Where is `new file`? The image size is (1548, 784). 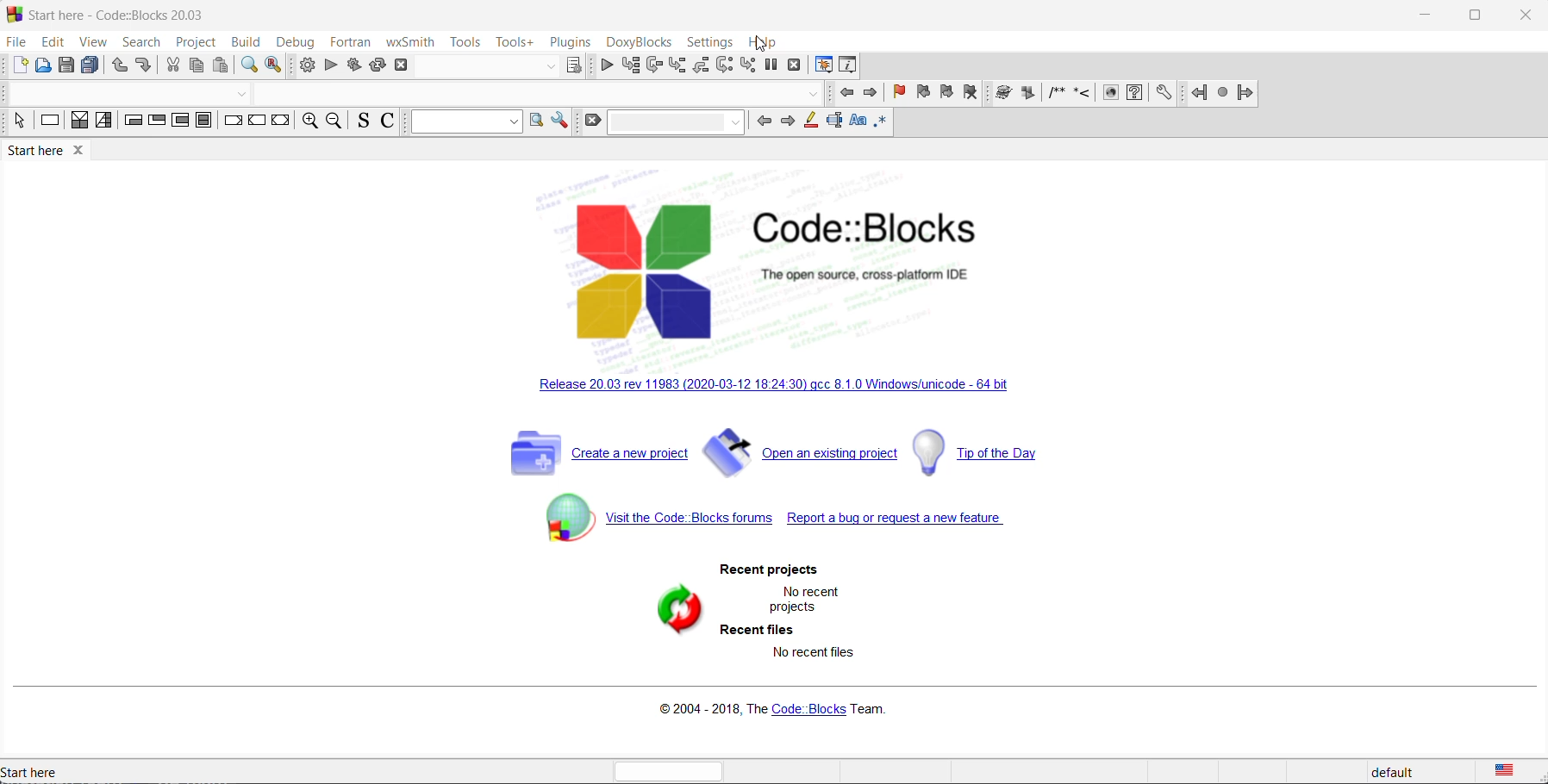
new file is located at coordinates (19, 65).